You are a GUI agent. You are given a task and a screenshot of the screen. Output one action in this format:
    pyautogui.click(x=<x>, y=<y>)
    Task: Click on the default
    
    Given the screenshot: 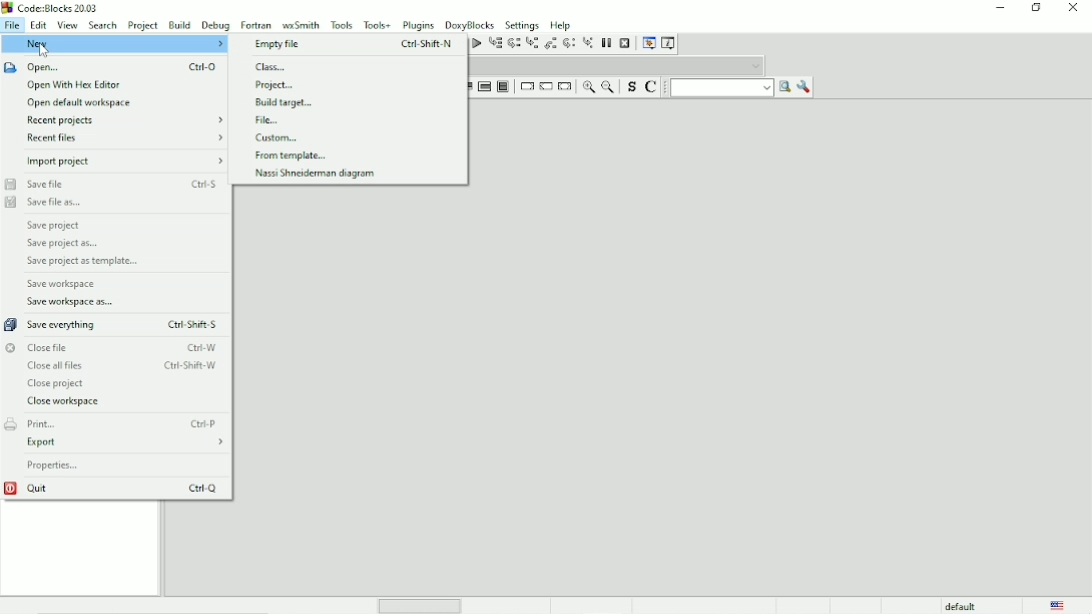 What is the action you would take?
    pyautogui.click(x=961, y=605)
    